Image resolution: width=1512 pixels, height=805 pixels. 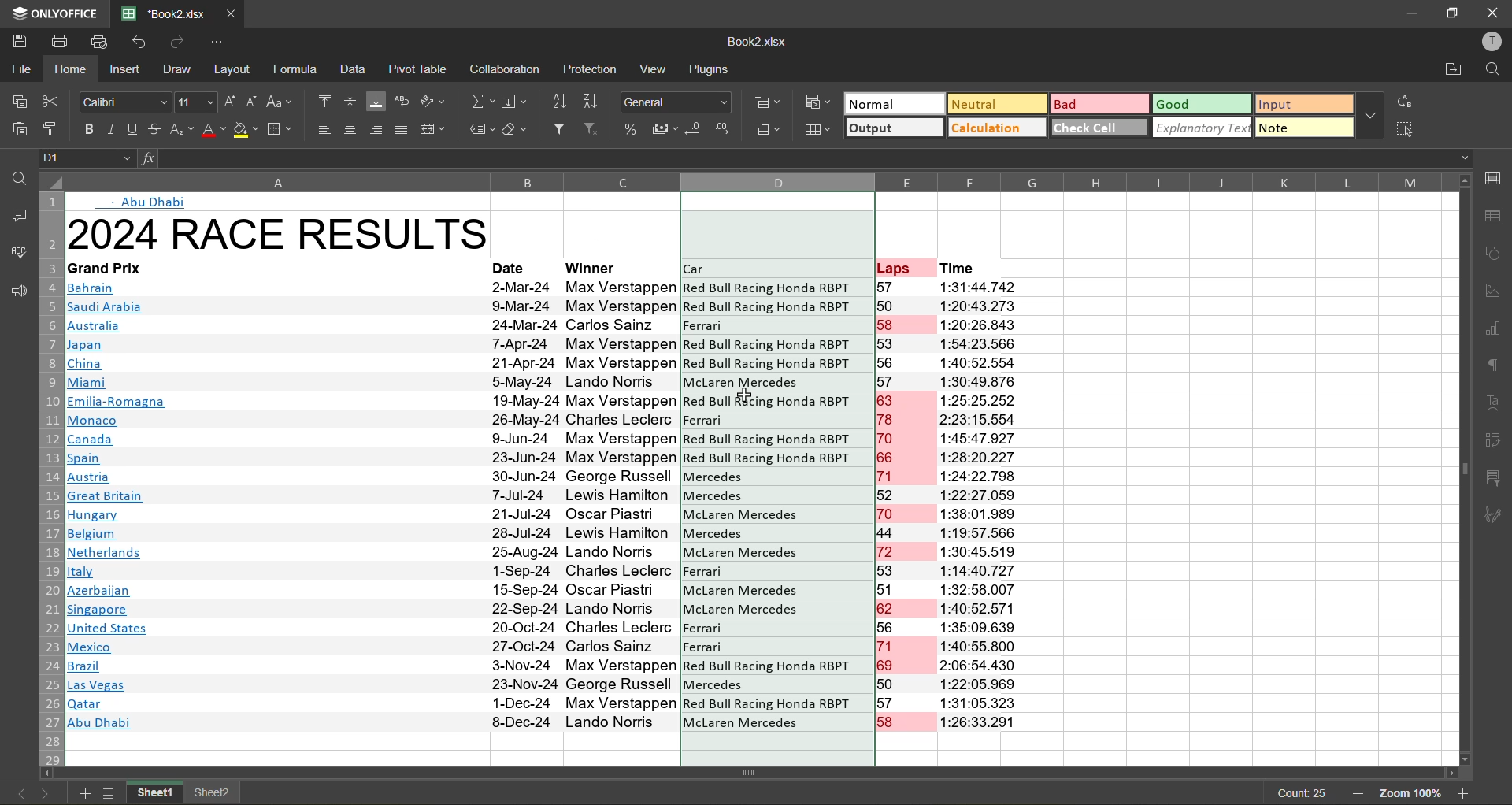 I want to click on check cell, so click(x=1099, y=129).